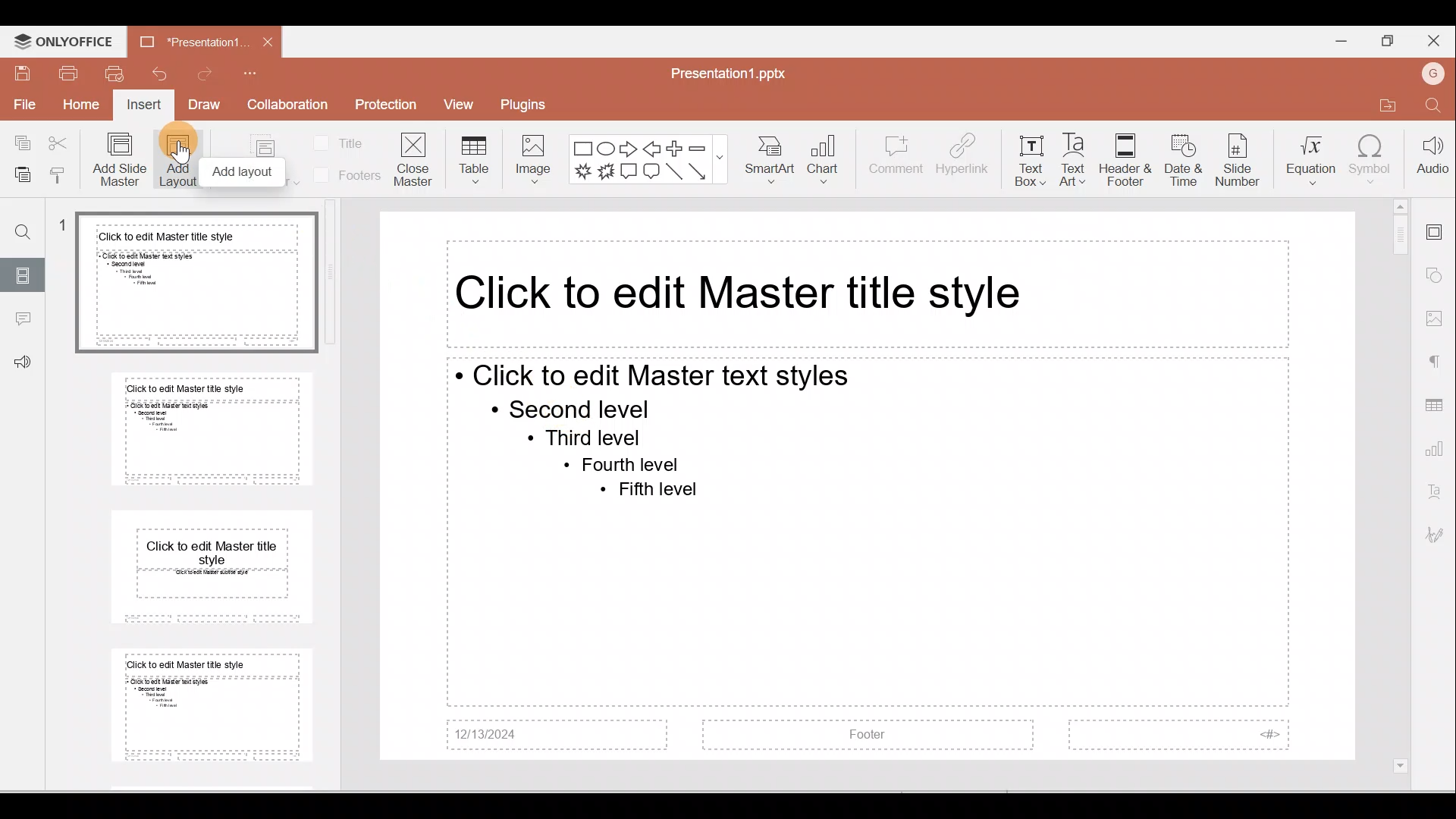 Image resolution: width=1456 pixels, height=819 pixels. I want to click on Paragraph settings, so click(1437, 359).